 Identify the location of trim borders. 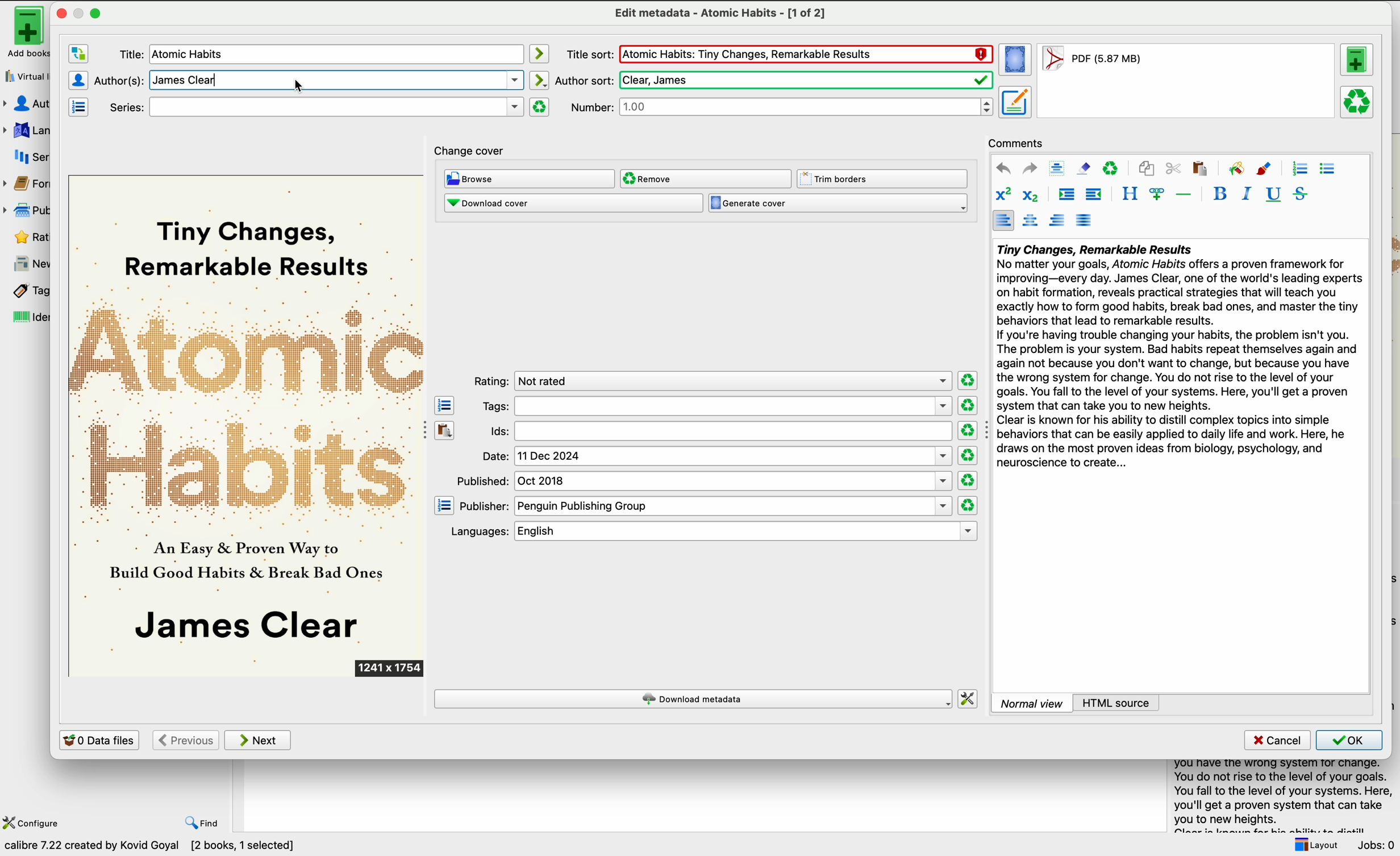
(884, 178).